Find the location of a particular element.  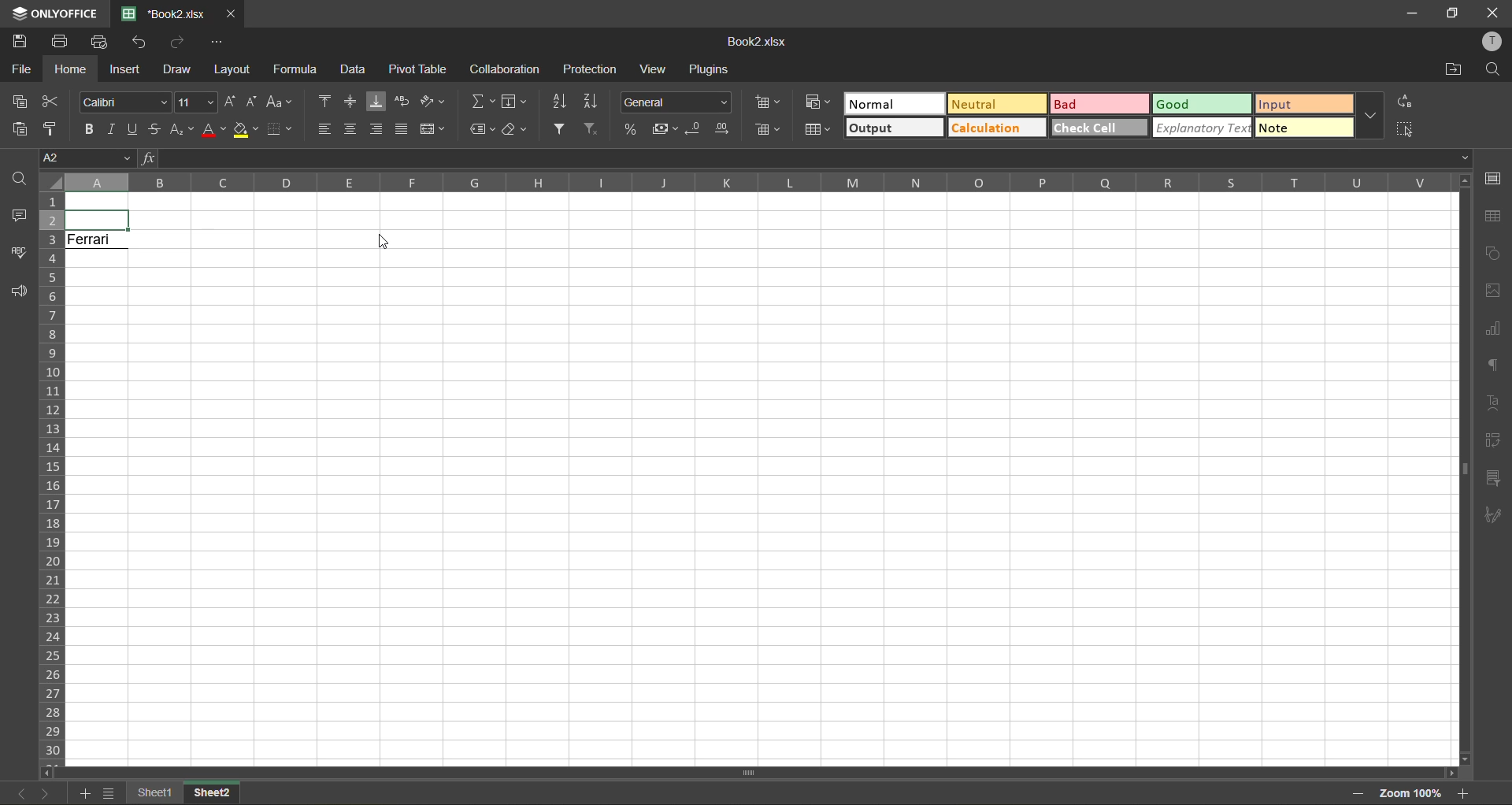

align right is located at coordinates (378, 128).